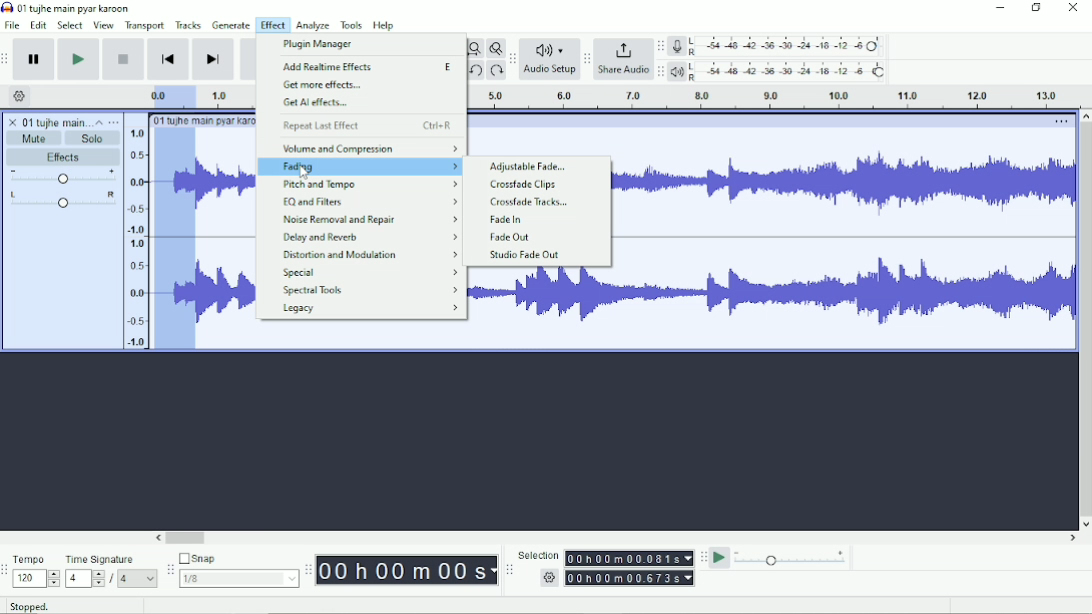 The width and height of the screenshot is (1092, 614). Describe the element at coordinates (368, 219) in the screenshot. I see `Noise Removal and Repair` at that location.